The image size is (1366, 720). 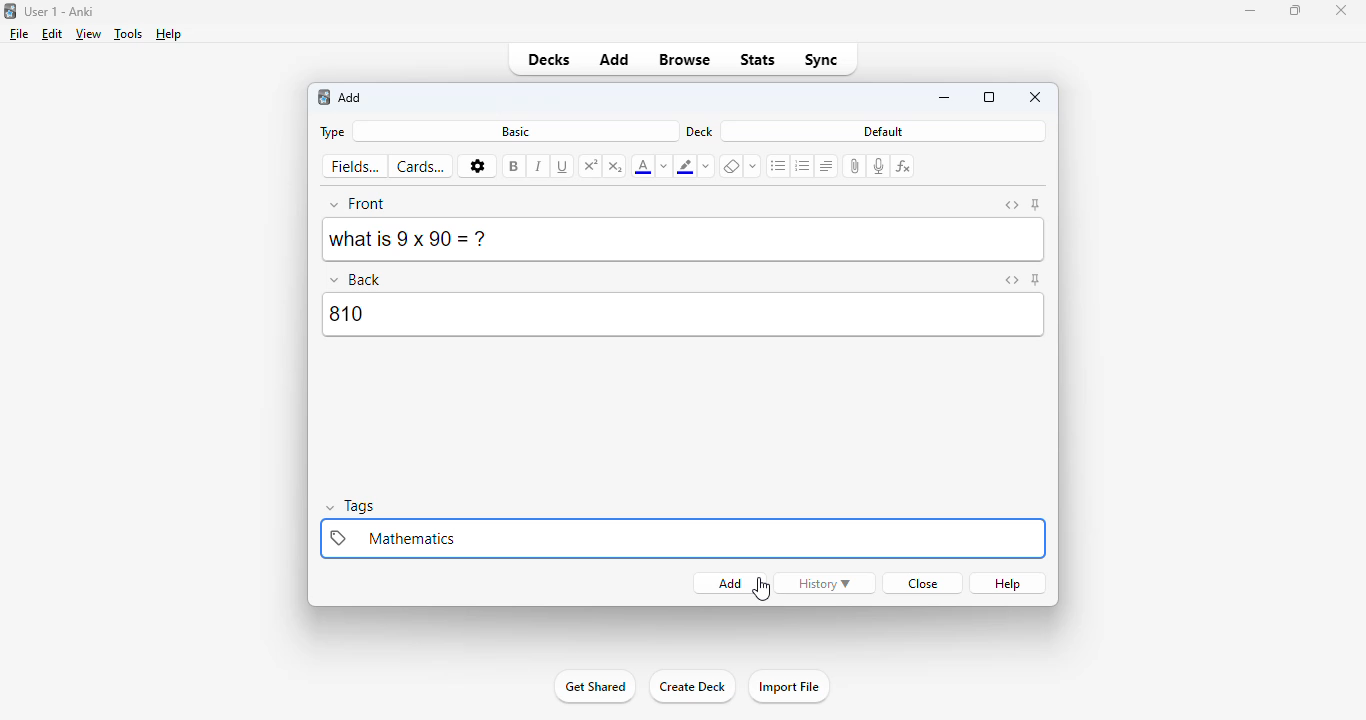 I want to click on close, so click(x=1341, y=10).